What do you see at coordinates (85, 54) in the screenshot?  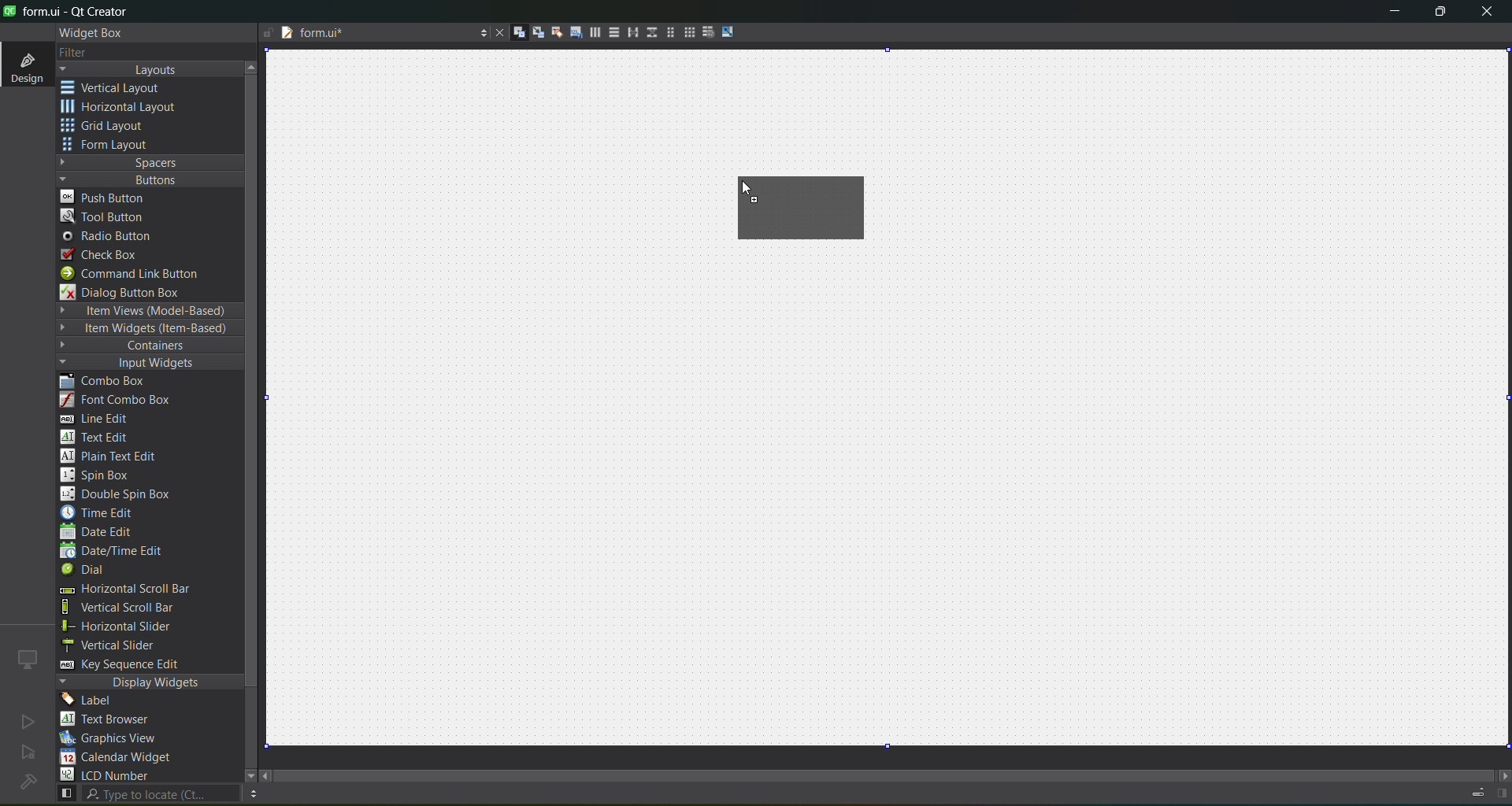 I see `filter` at bounding box center [85, 54].